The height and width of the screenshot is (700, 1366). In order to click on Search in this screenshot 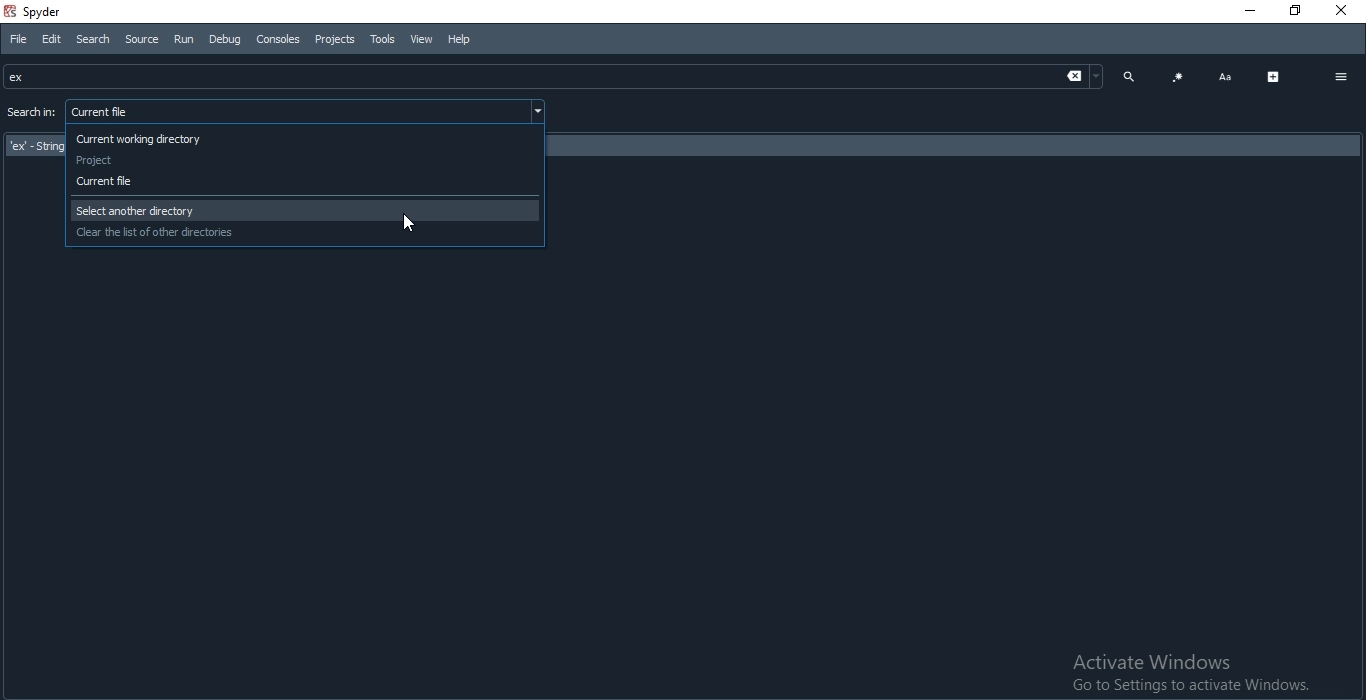, I will do `click(93, 39)`.